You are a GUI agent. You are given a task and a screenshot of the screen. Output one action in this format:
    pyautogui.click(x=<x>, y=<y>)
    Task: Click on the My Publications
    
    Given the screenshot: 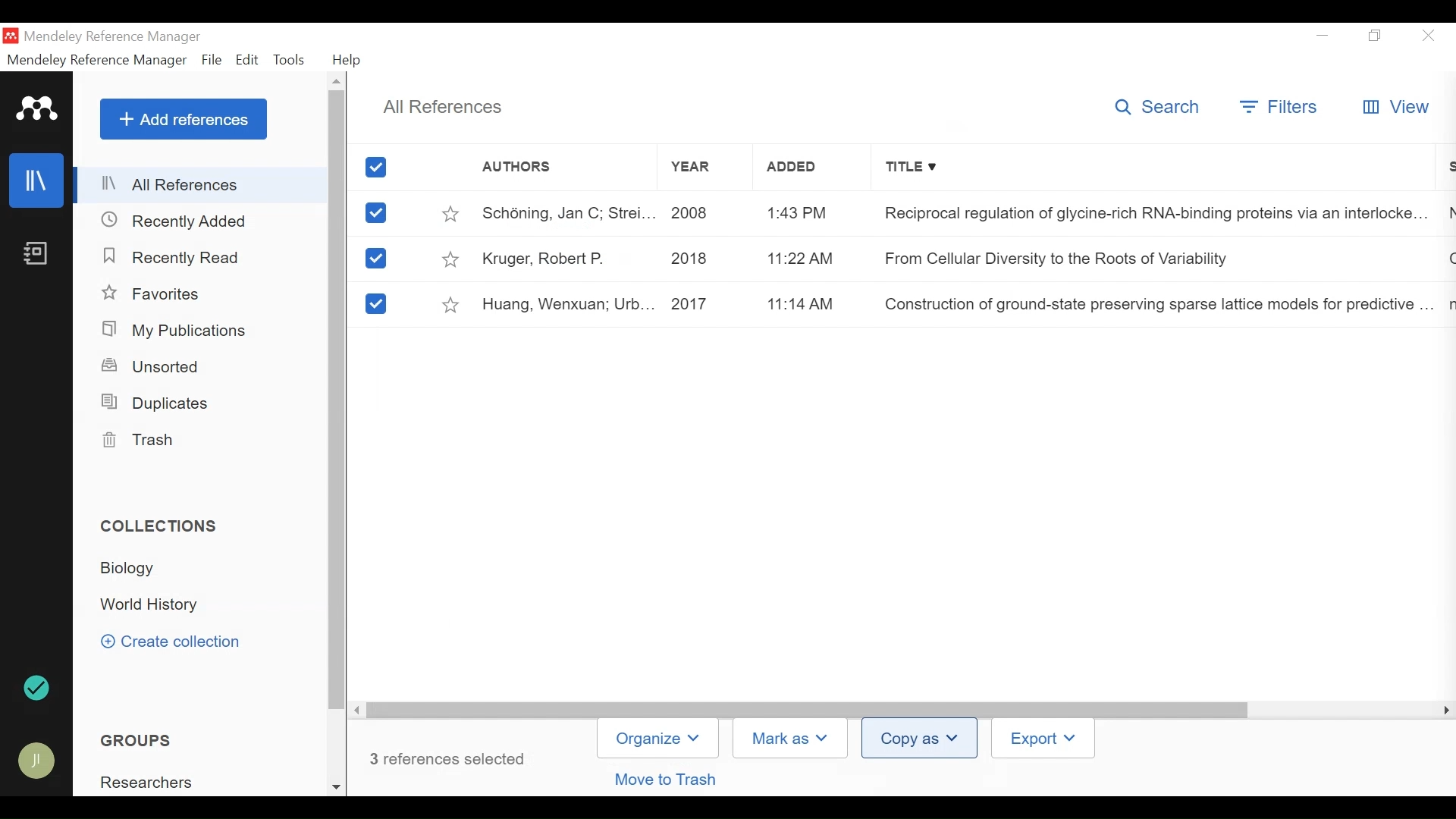 What is the action you would take?
    pyautogui.click(x=176, y=330)
    